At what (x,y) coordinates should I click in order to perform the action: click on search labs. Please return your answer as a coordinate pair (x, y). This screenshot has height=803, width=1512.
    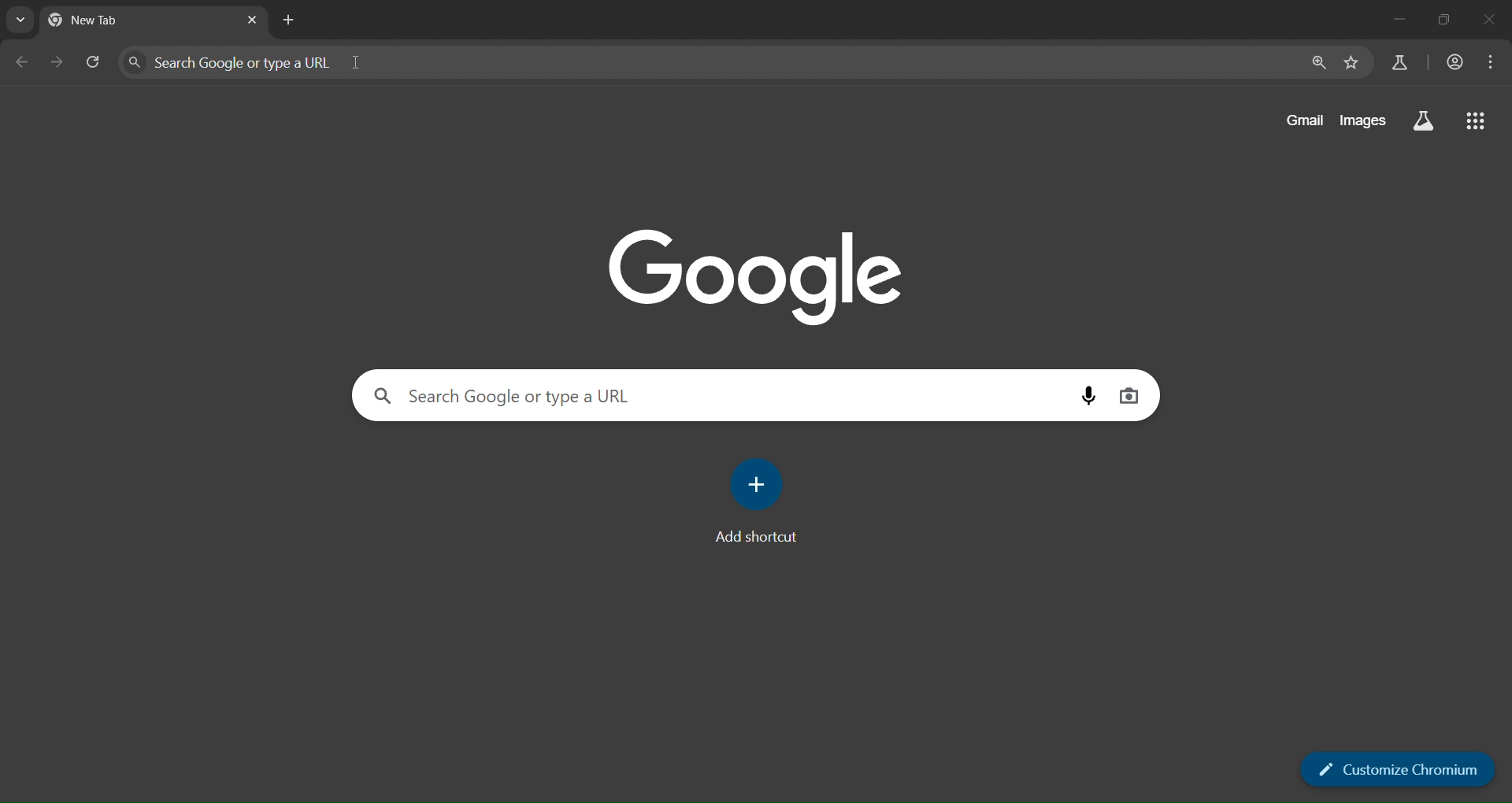
    Looking at the image, I should click on (1398, 62).